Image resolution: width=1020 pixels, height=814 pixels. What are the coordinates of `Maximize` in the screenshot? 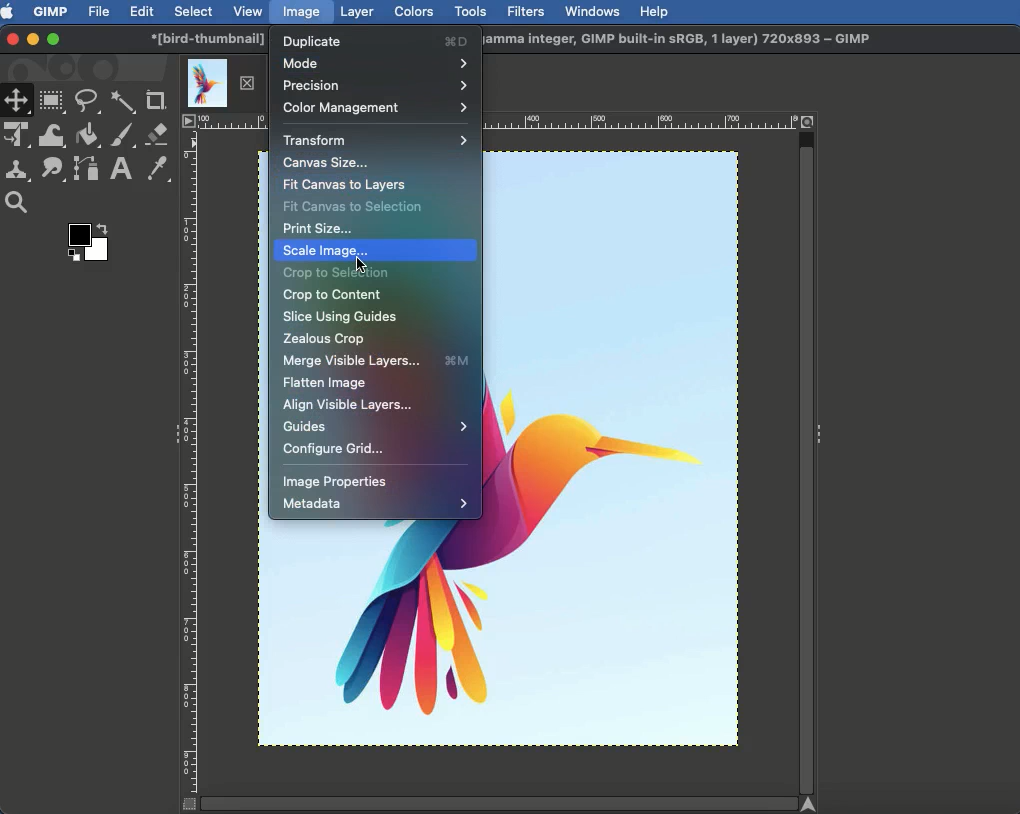 It's located at (54, 40).